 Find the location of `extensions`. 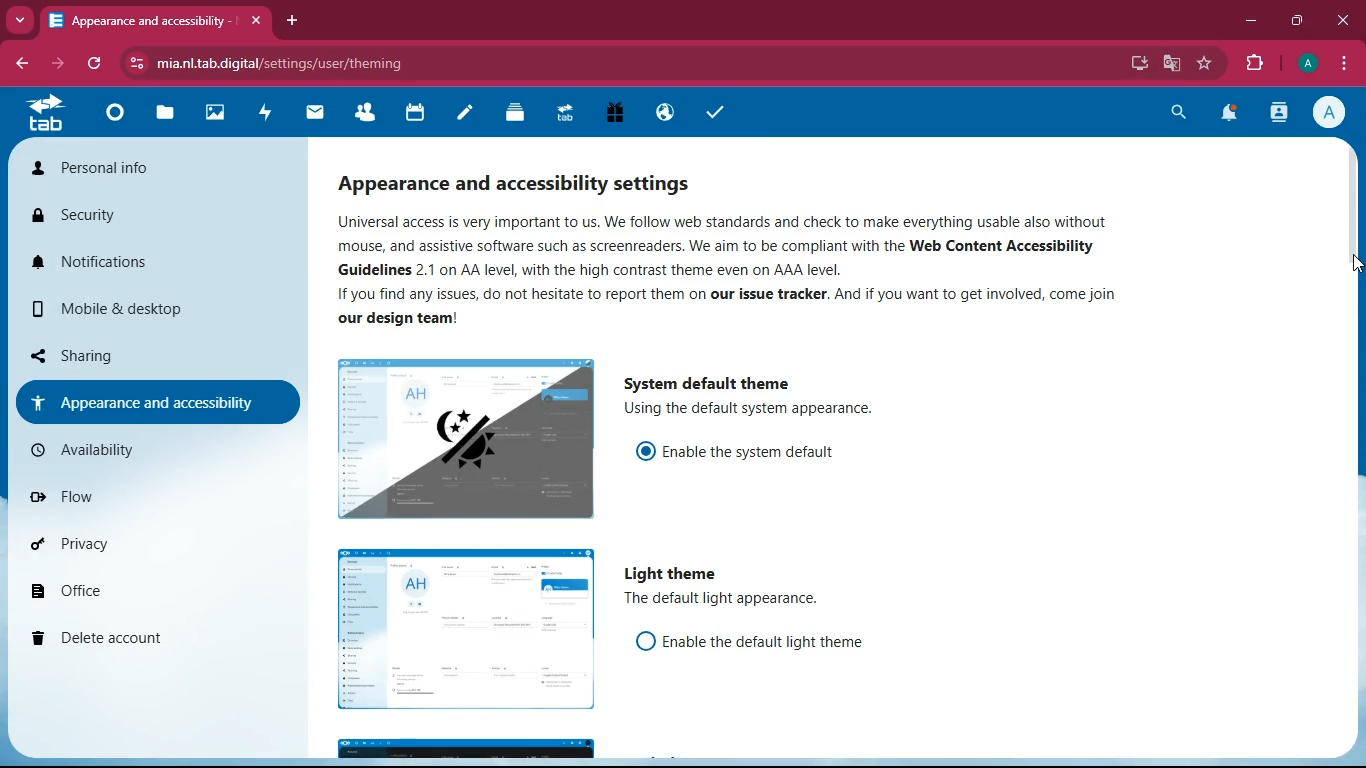

extensions is located at coordinates (1256, 61).